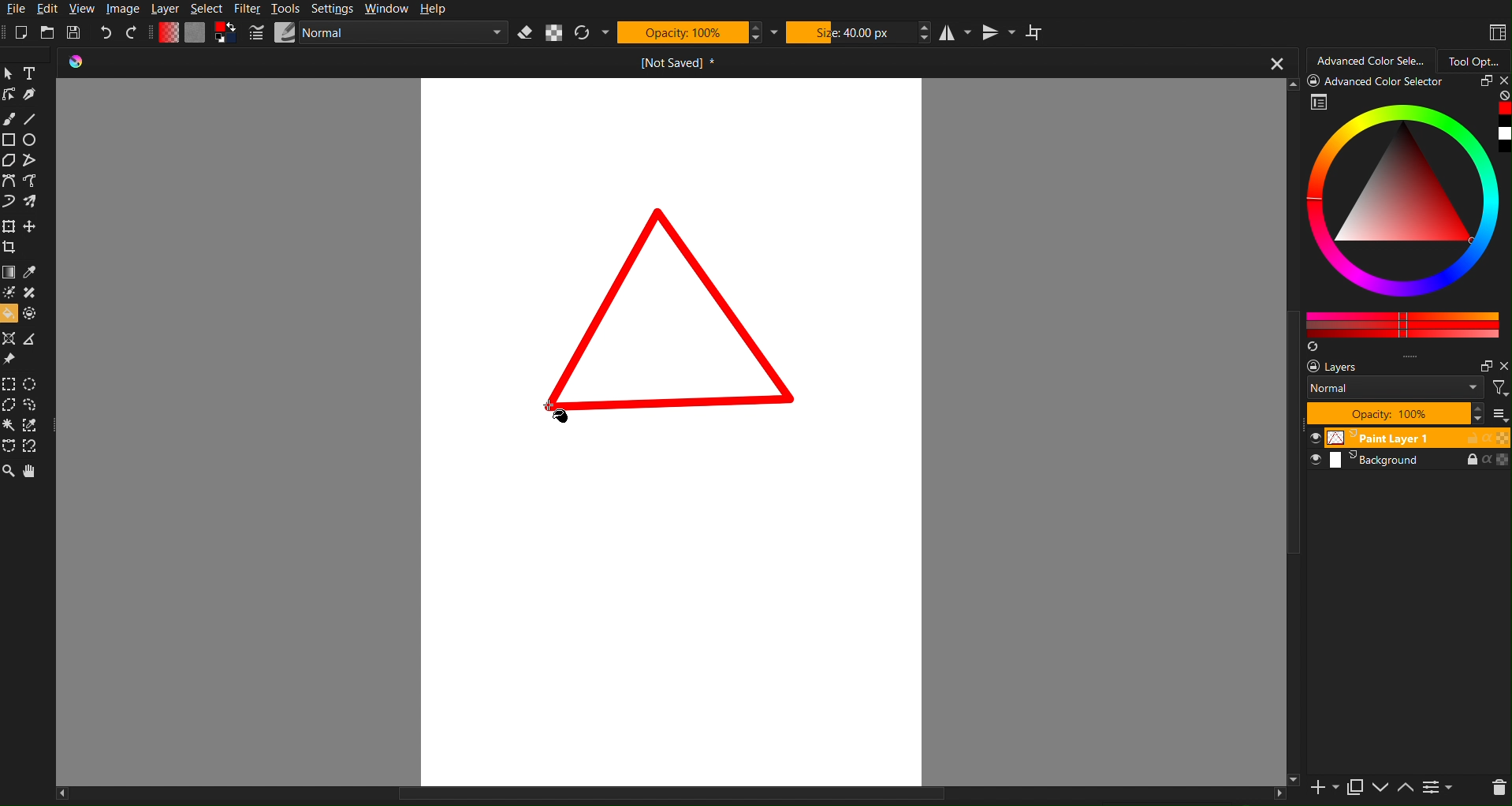 This screenshot has width=1512, height=806. I want to click on rectangular Selection Tools, so click(9, 383).